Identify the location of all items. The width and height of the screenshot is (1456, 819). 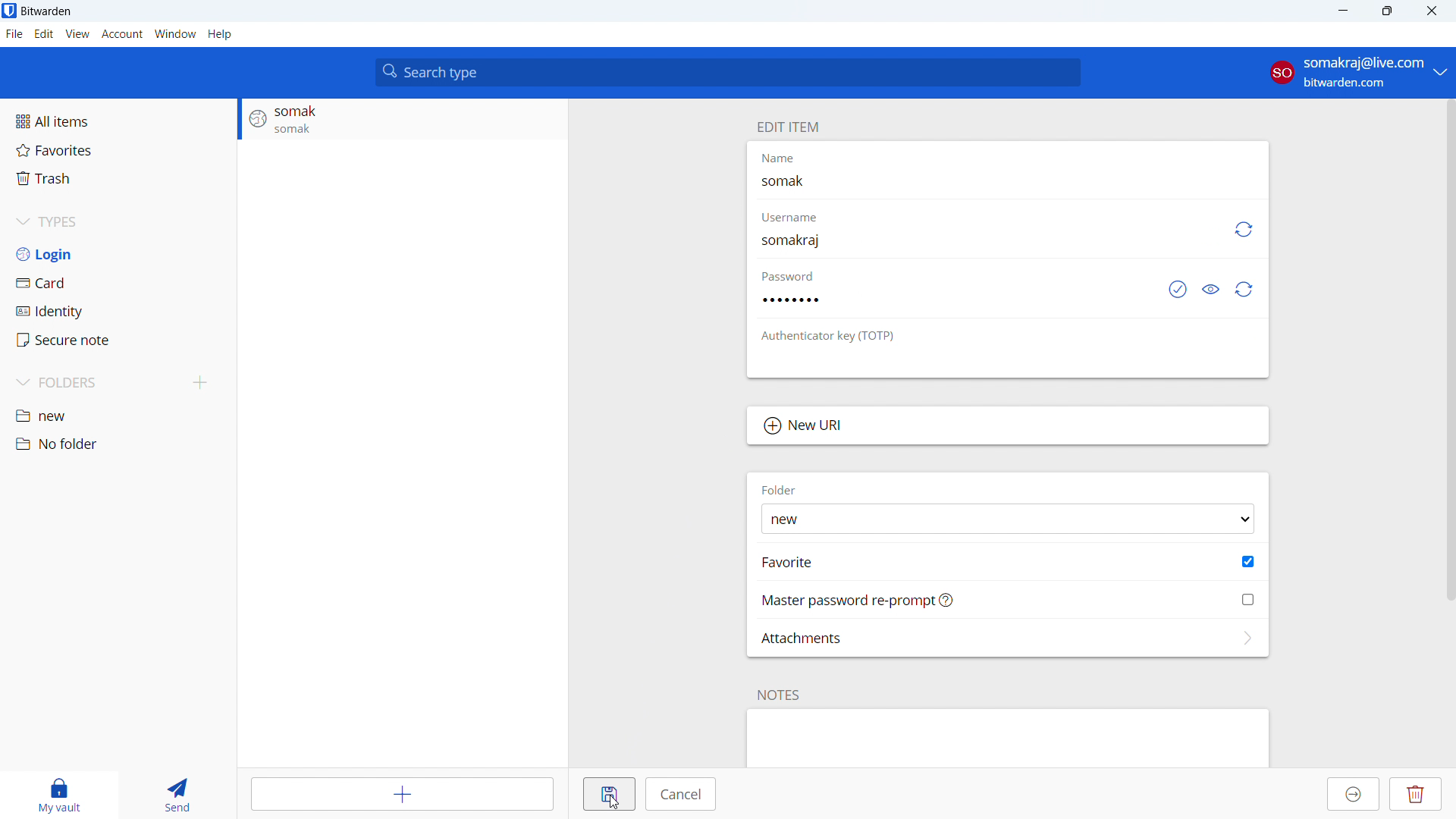
(118, 121).